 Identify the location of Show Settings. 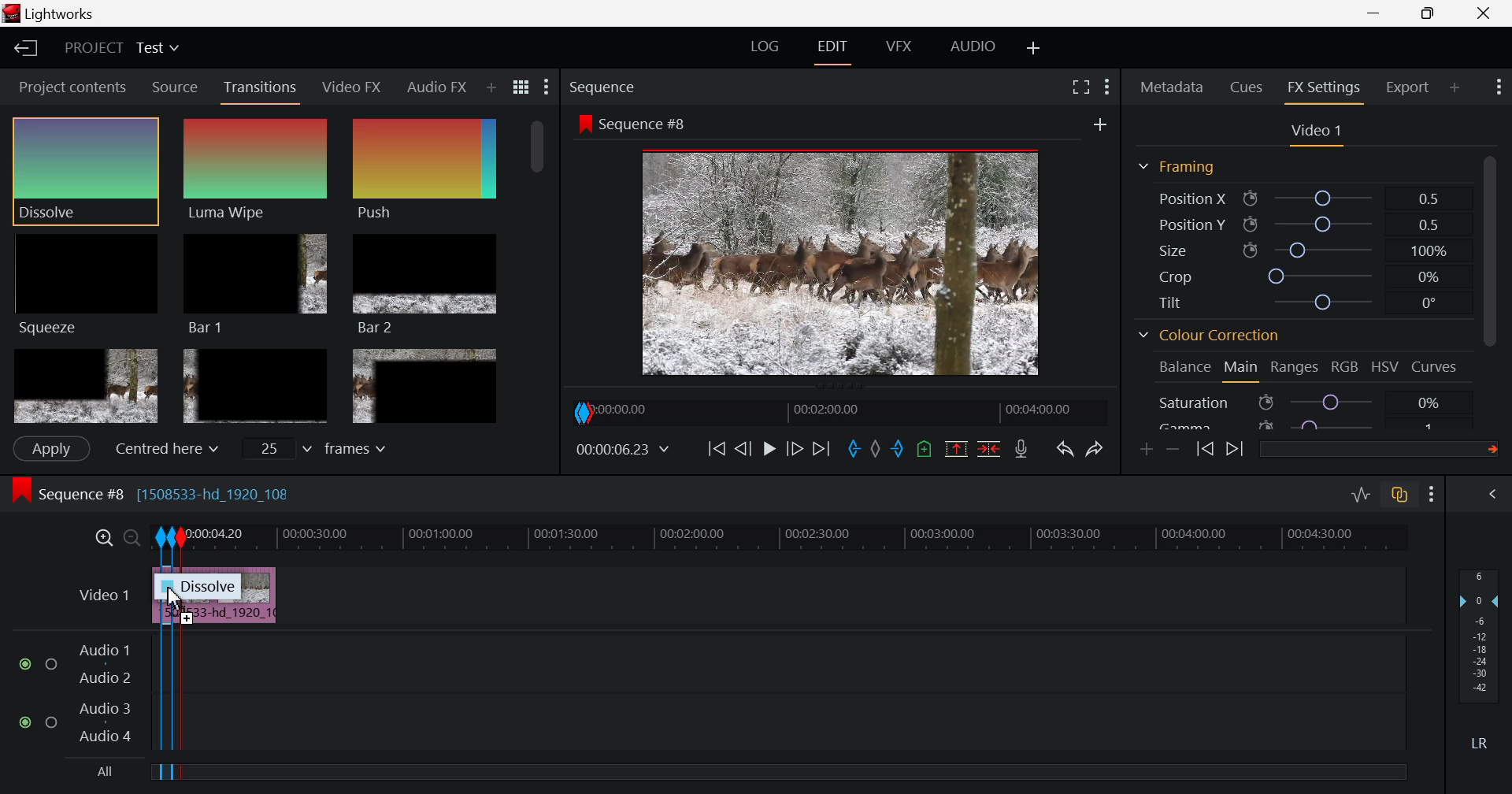
(1497, 87).